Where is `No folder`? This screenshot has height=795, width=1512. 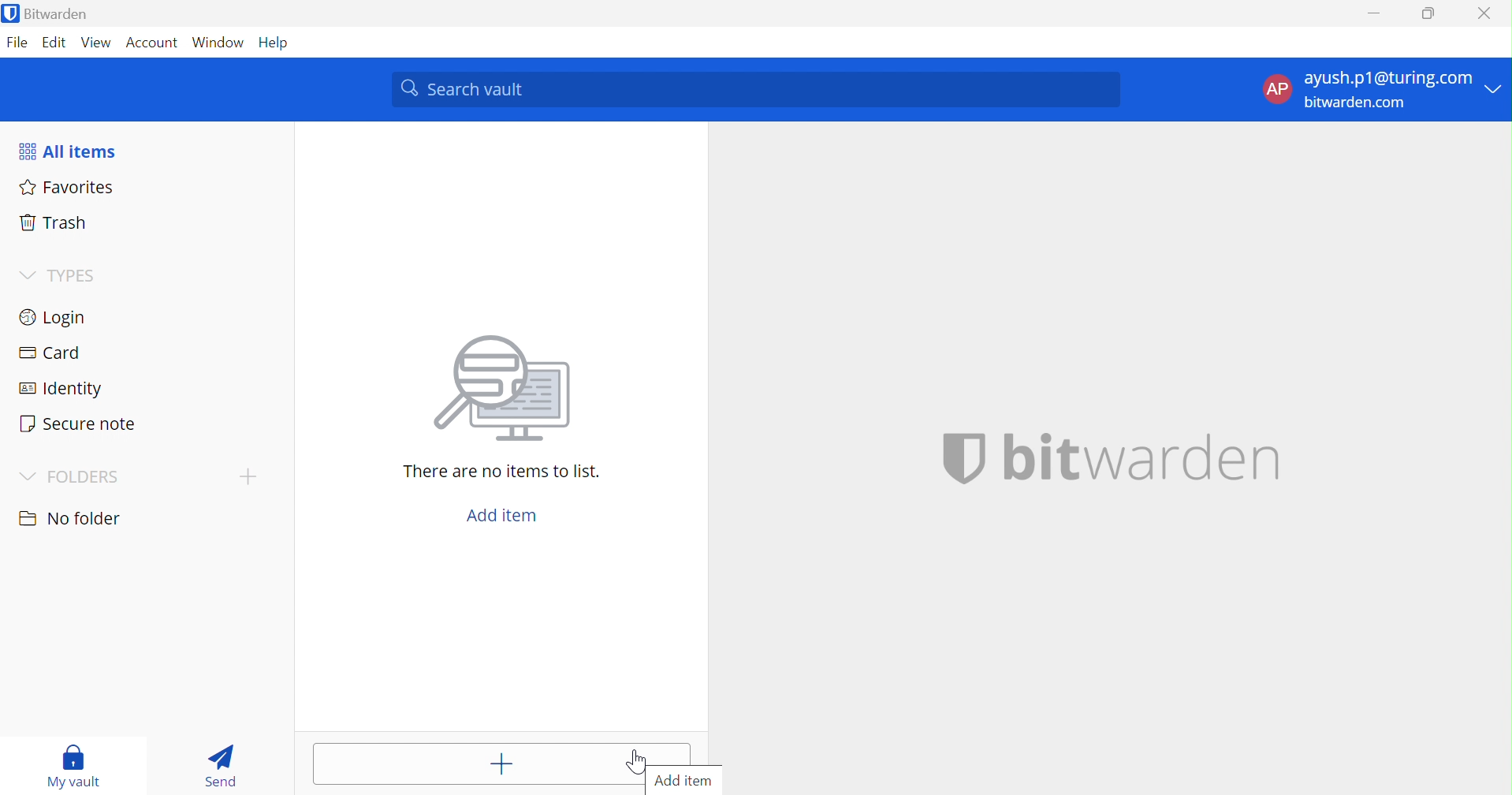 No folder is located at coordinates (73, 519).